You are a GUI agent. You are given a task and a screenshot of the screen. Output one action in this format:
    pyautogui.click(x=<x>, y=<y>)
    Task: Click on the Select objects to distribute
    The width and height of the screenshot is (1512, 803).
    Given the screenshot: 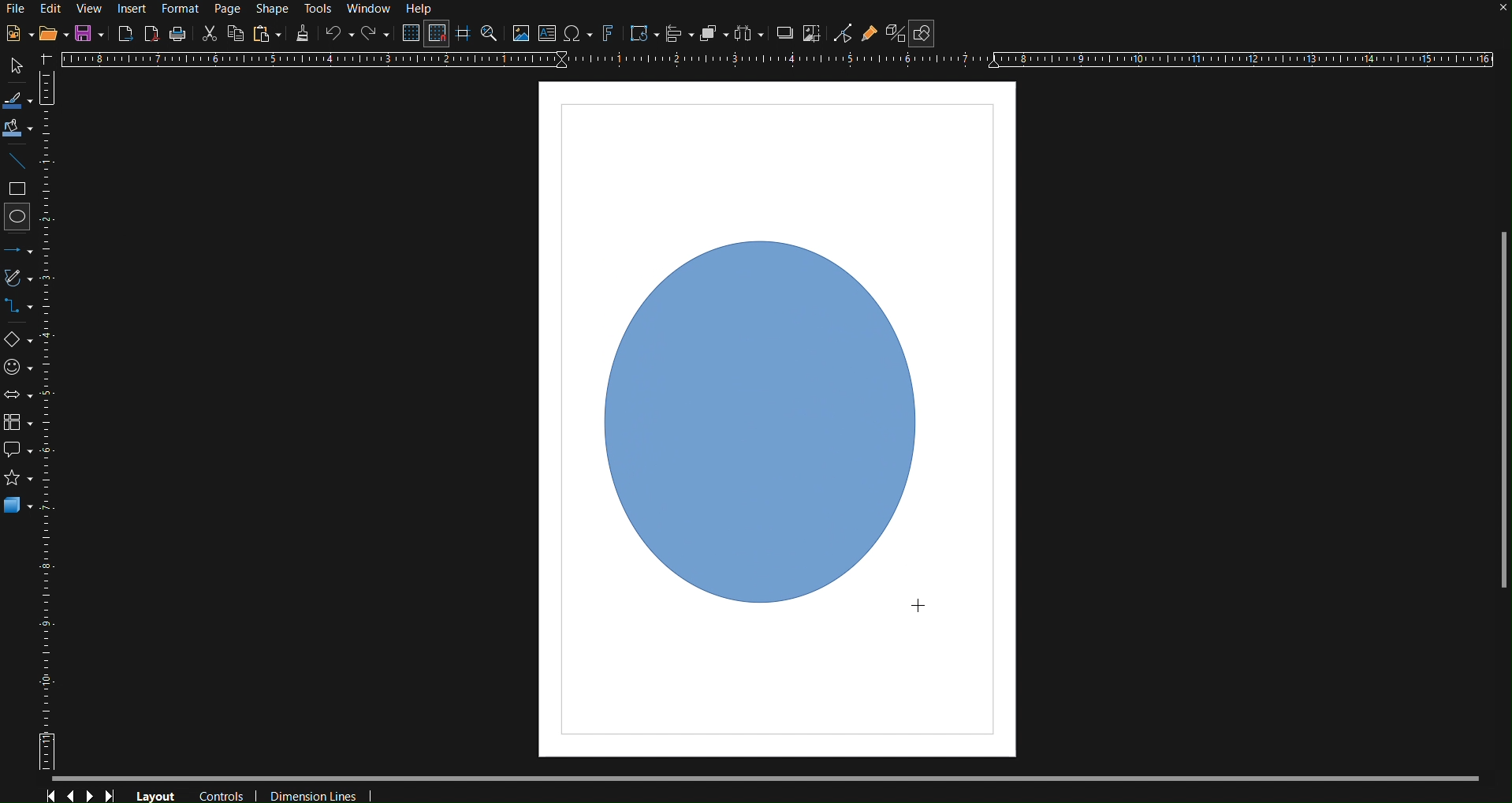 What is the action you would take?
    pyautogui.click(x=749, y=35)
    